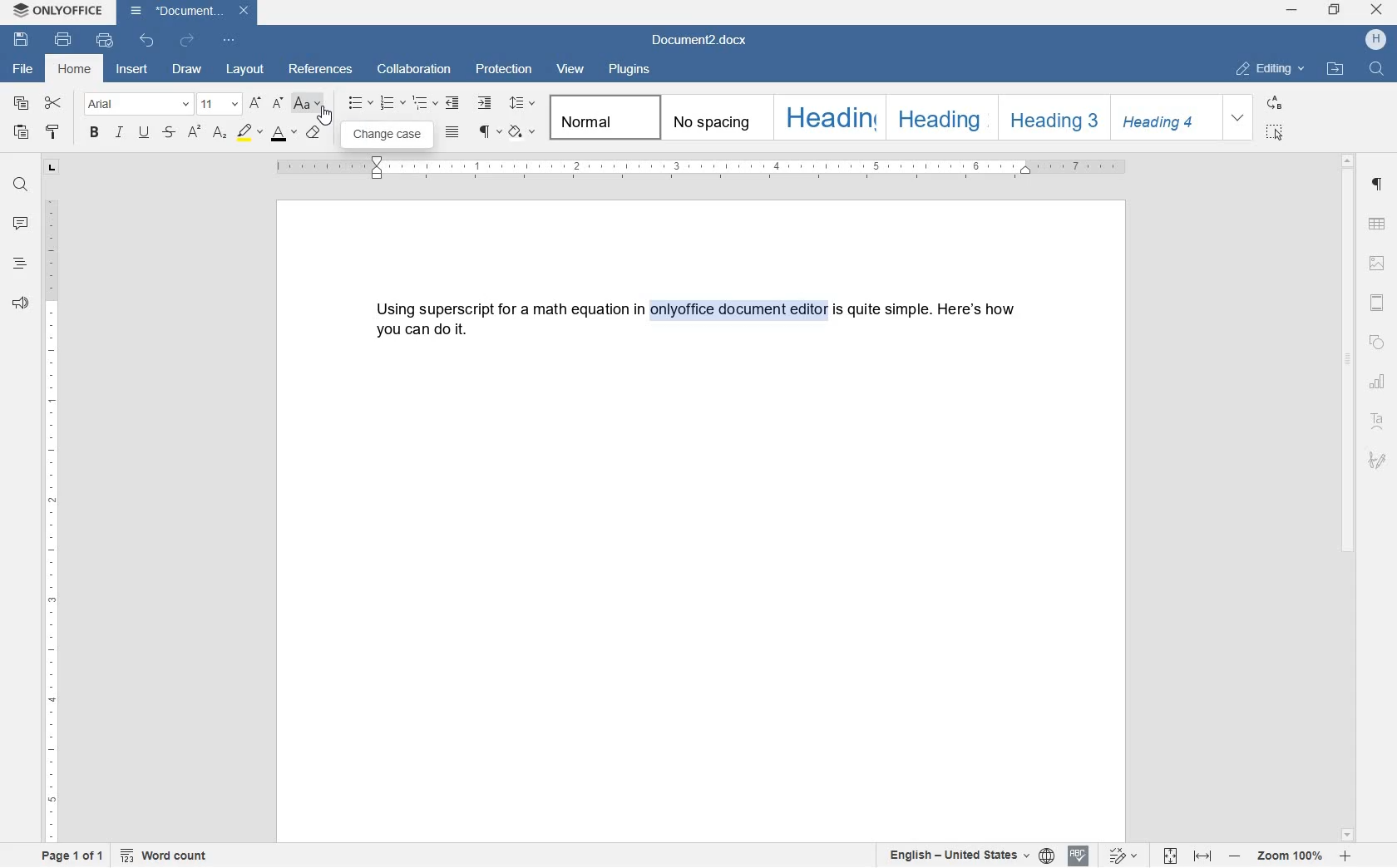  I want to click on copy, so click(22, 104).